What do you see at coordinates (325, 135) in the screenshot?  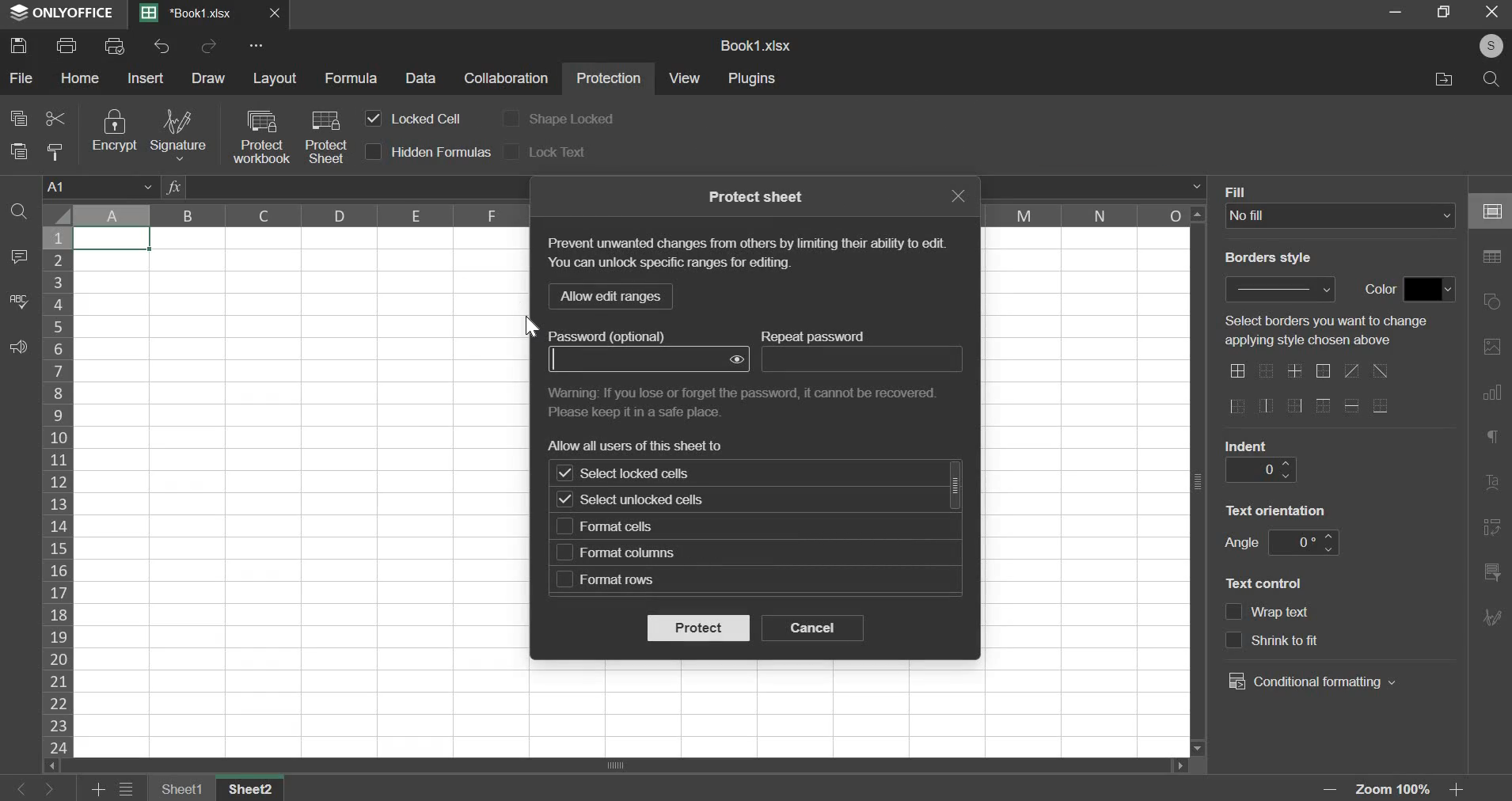 I see `protect sheet with cursor` at bounding box center [325, 135].